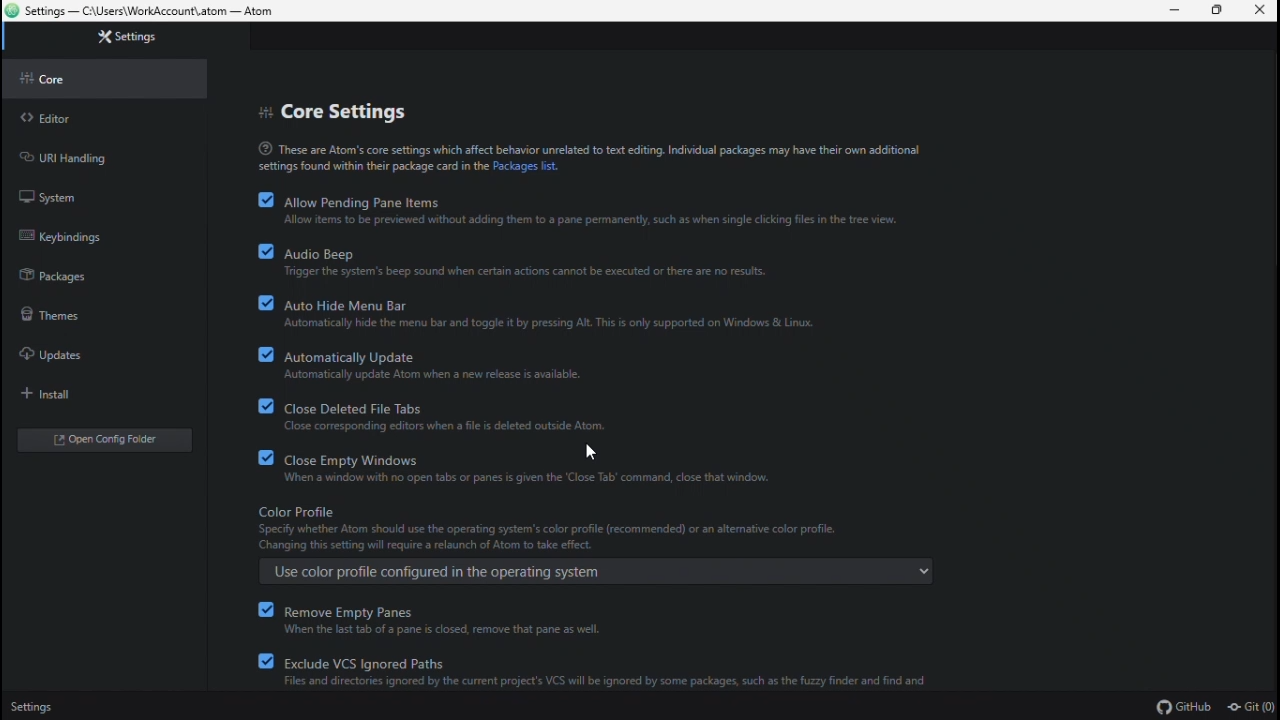 The width and height of the screenshot is (1280, 720). Describe the element at coordinates (266, 303) in the screenshot. I see `checkbox` at that location.